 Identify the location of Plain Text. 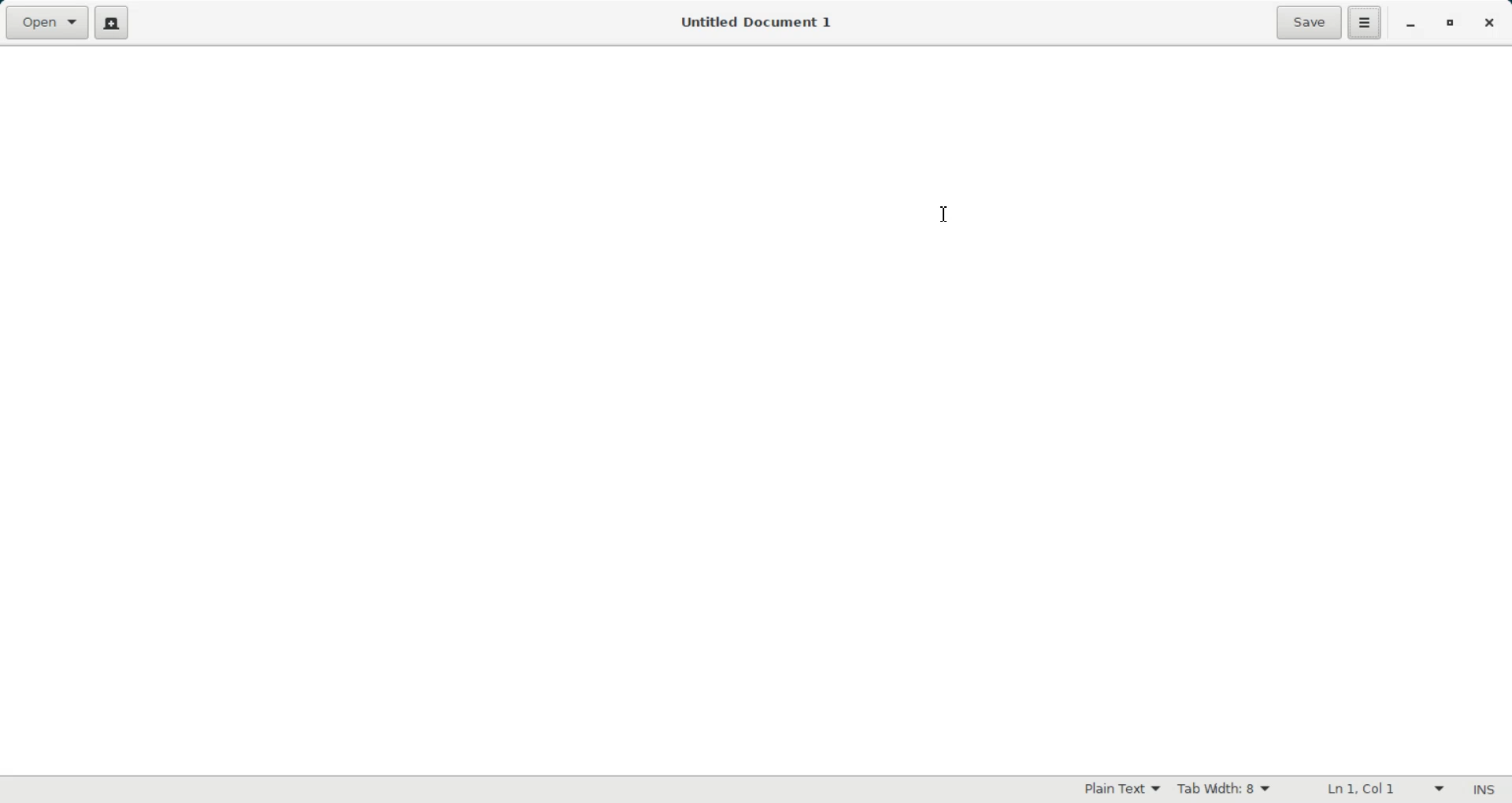
(1122, 789).